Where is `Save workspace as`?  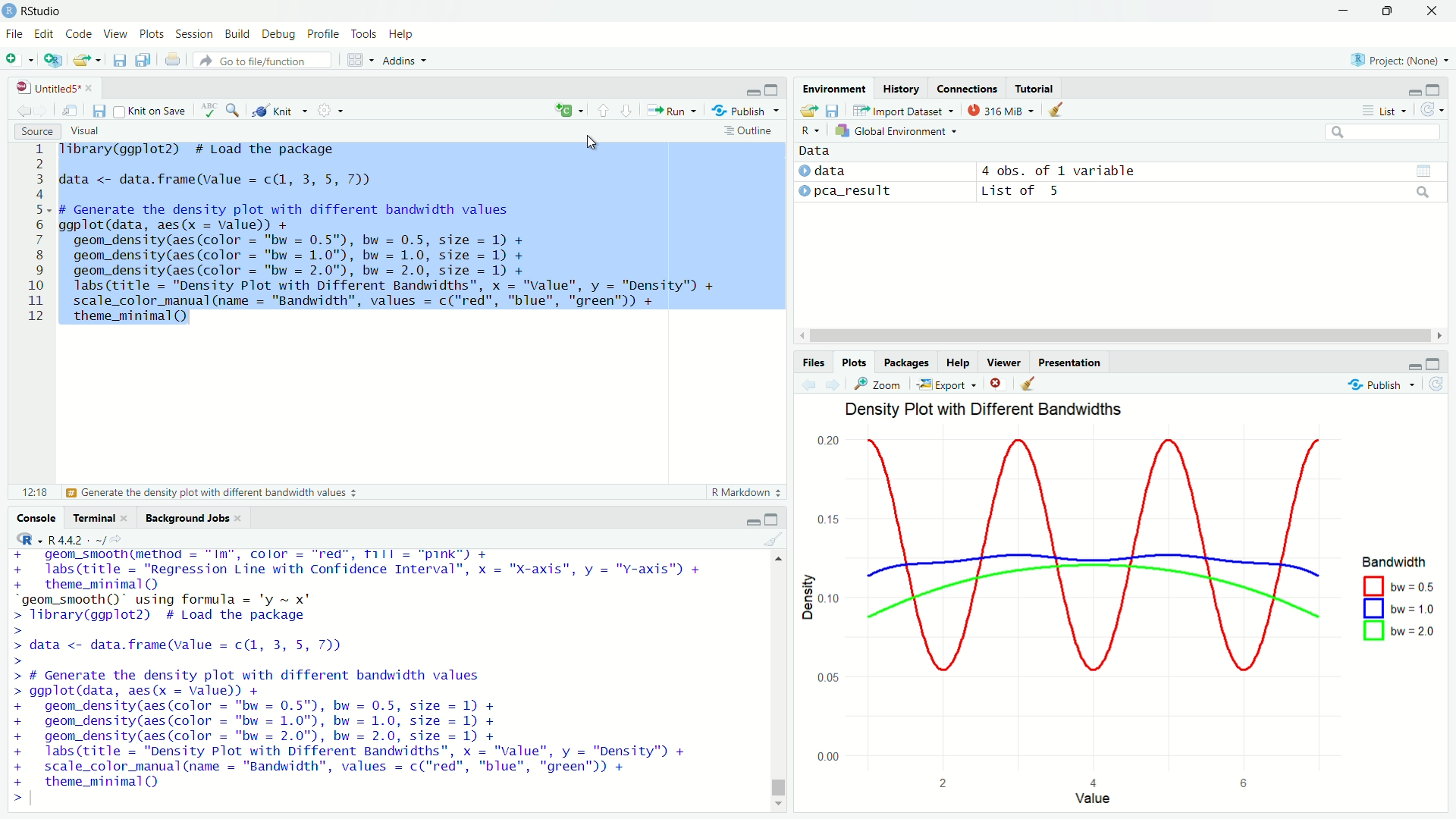
Save workspace as is located at coordinates (833, 110).